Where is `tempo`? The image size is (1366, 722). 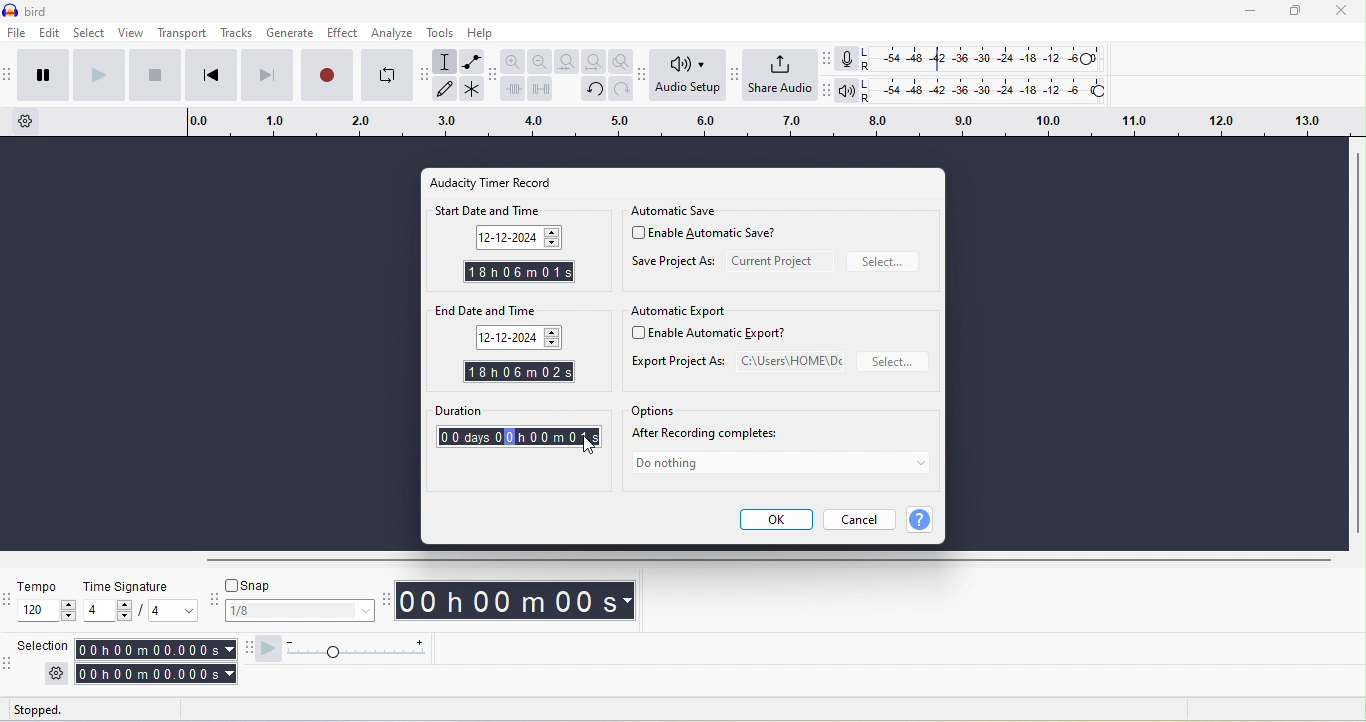 tempo is located at coordinates (47, 587).